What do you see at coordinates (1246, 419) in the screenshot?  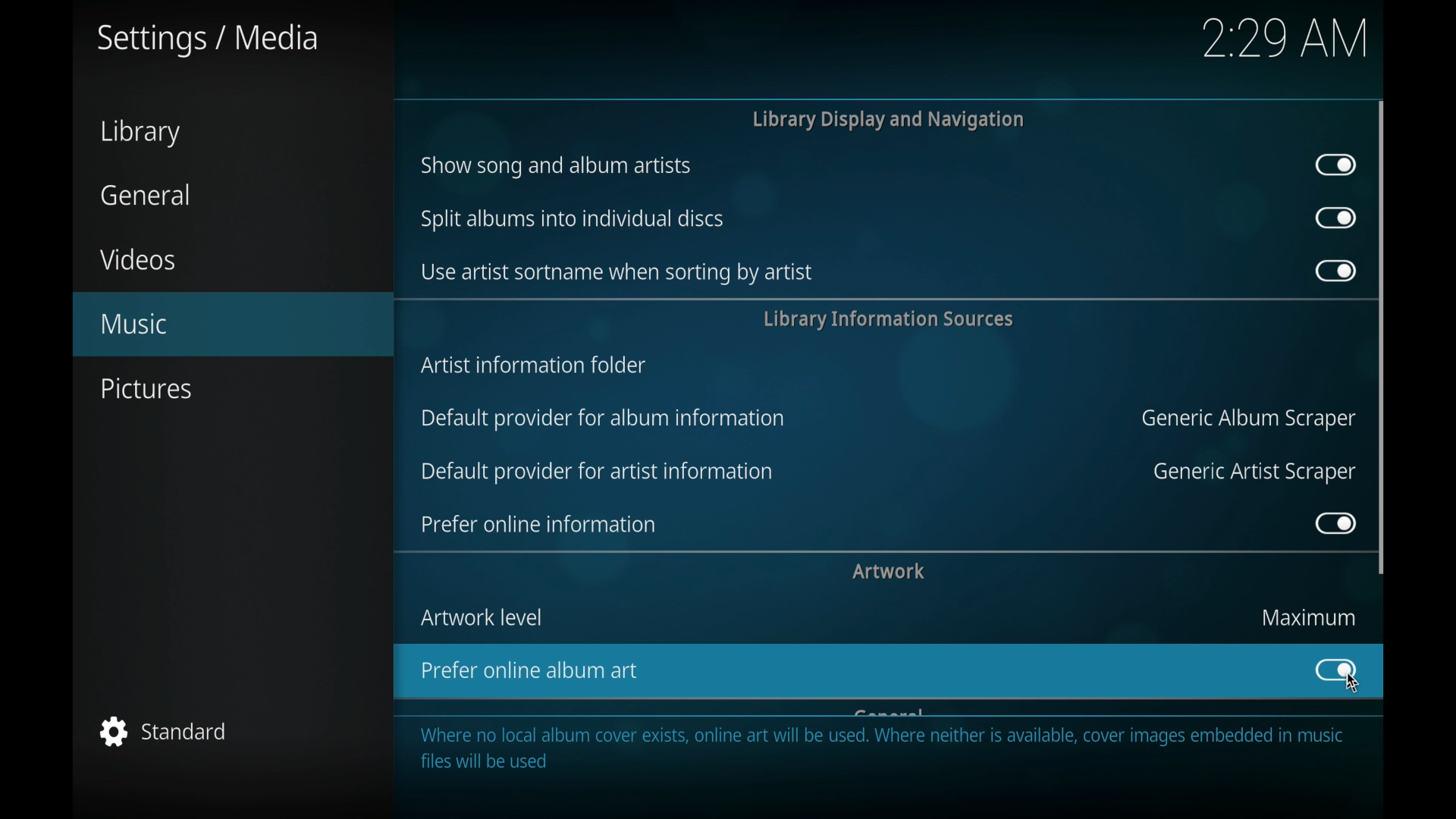 I see `generic album scraper` at bounding box center [1246, 419].